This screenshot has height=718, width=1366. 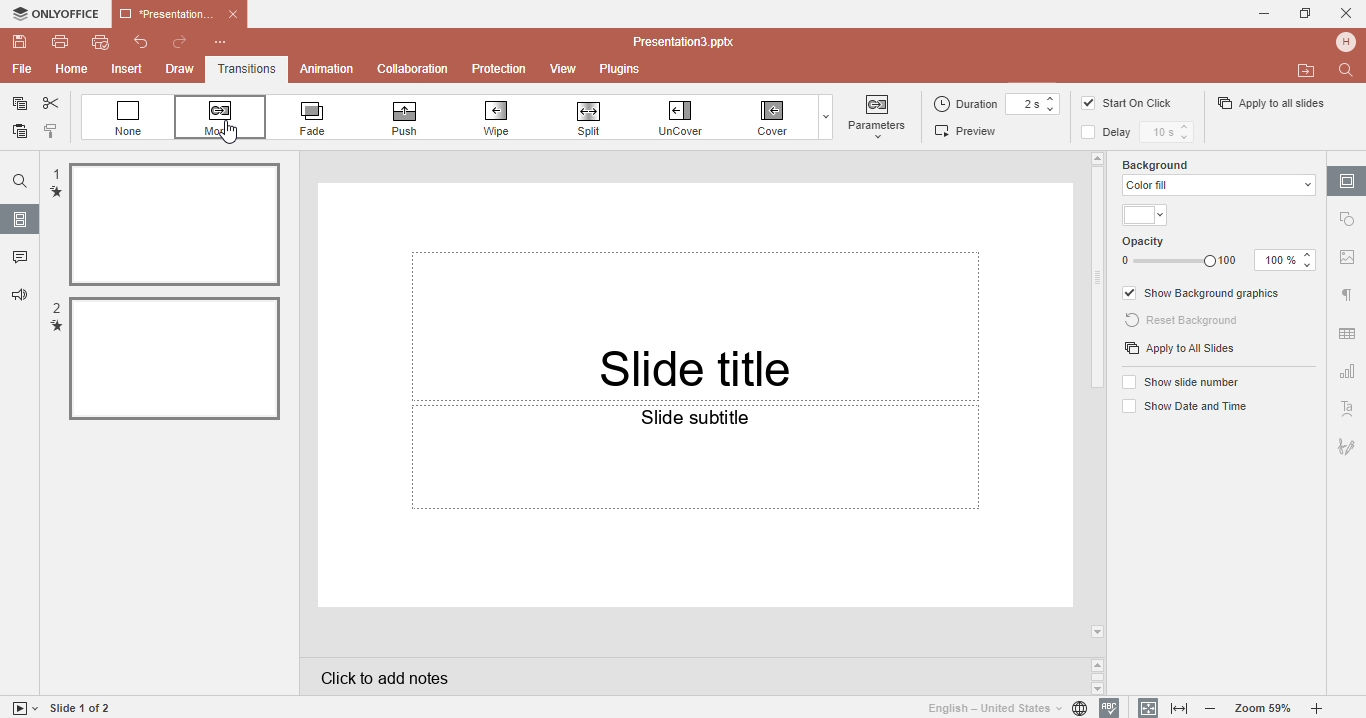 I want to click on Table setting, so click(x=1348, y=330).